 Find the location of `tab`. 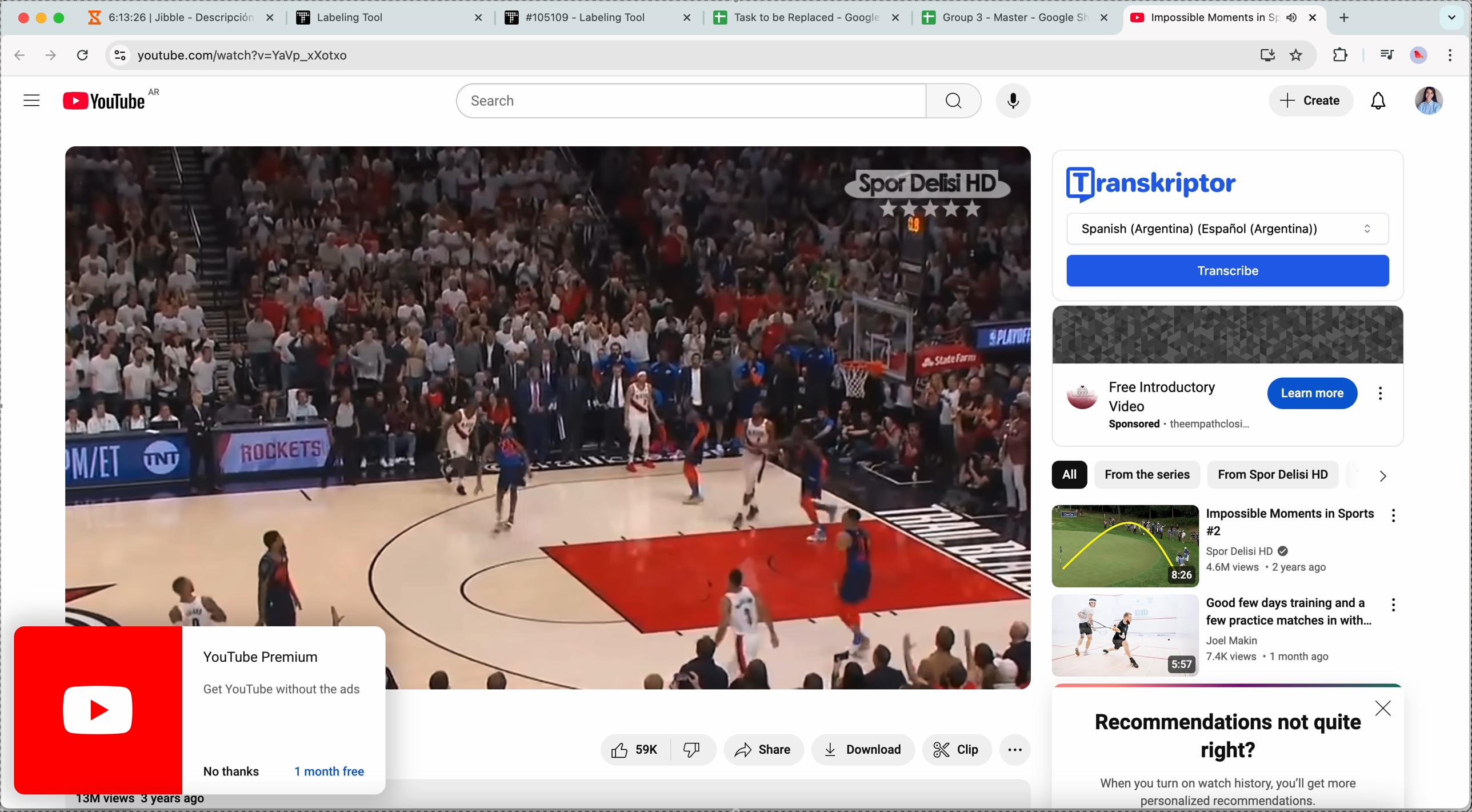

tab is located at coordinates (1226, 18).